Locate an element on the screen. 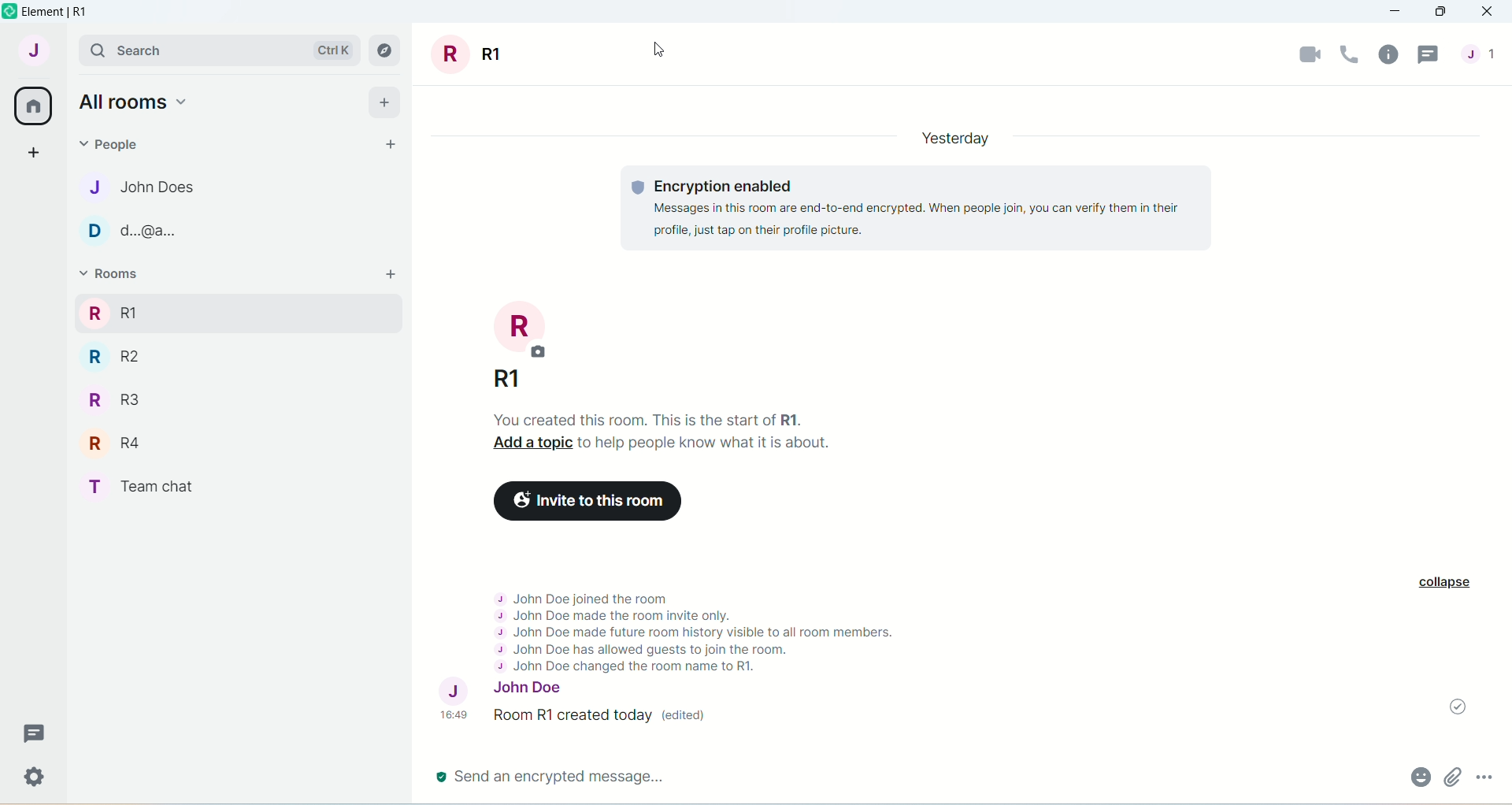 The image size is (1512, 805). d...@a... is located at coordinates (117, 231).